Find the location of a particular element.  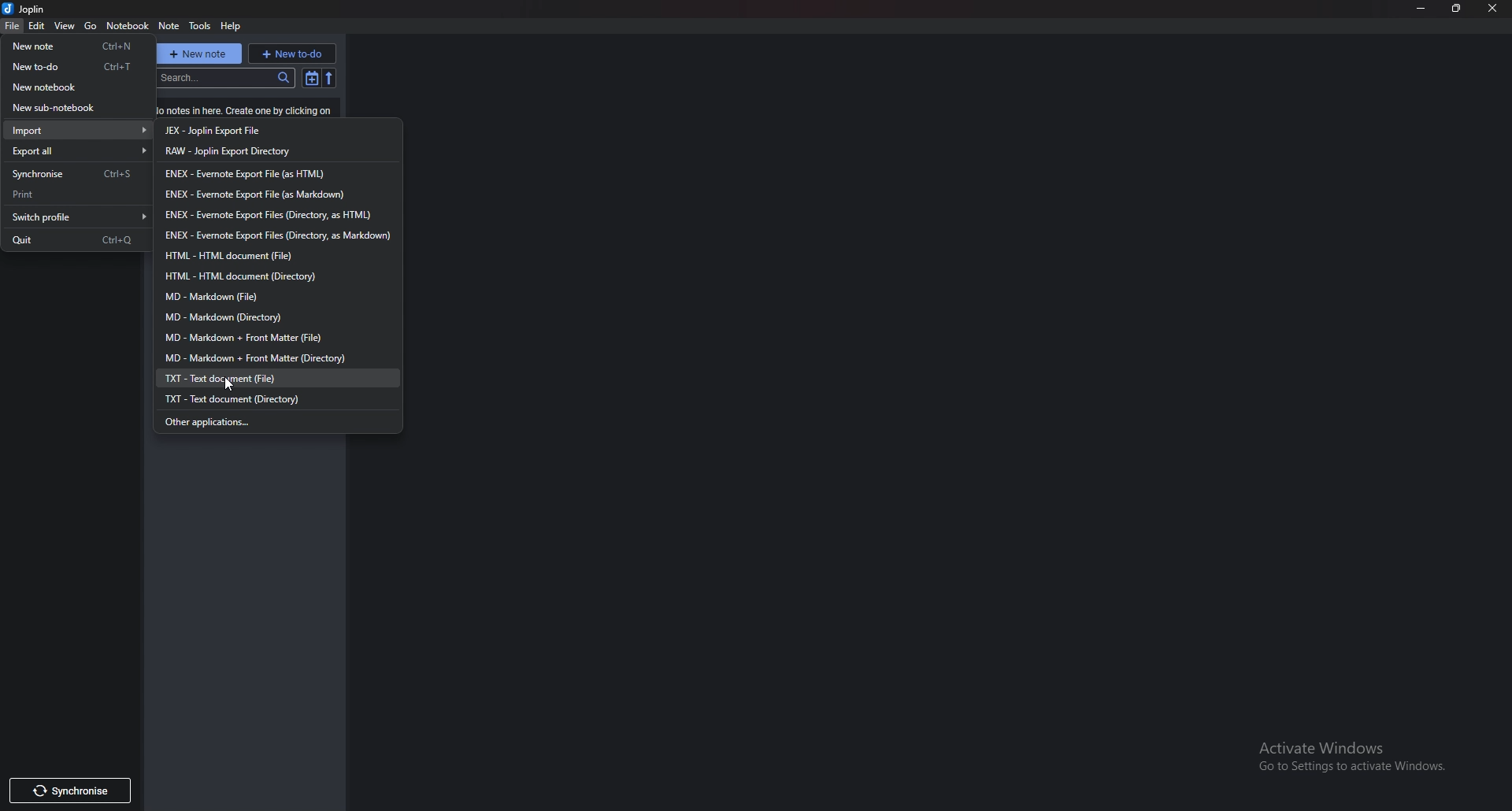

note is located at coordinates (172, 25).